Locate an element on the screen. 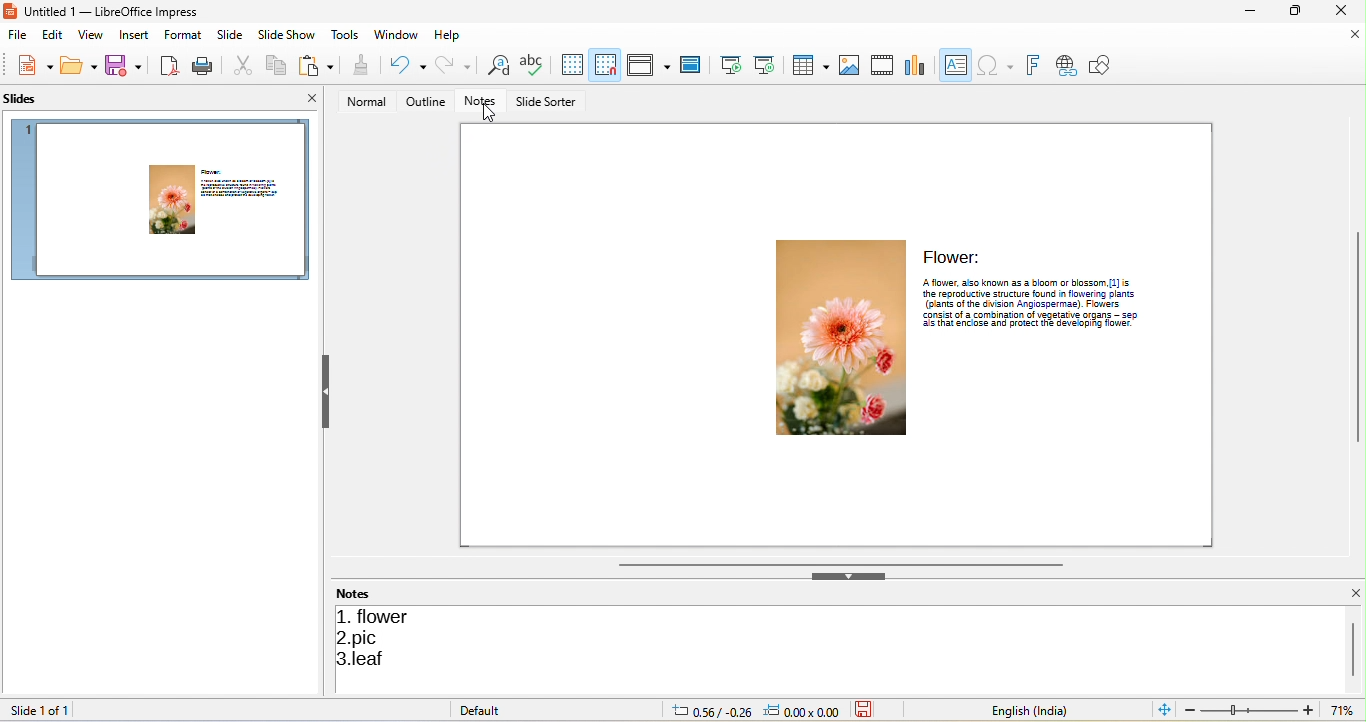  save is located at coordinates (128, 65).